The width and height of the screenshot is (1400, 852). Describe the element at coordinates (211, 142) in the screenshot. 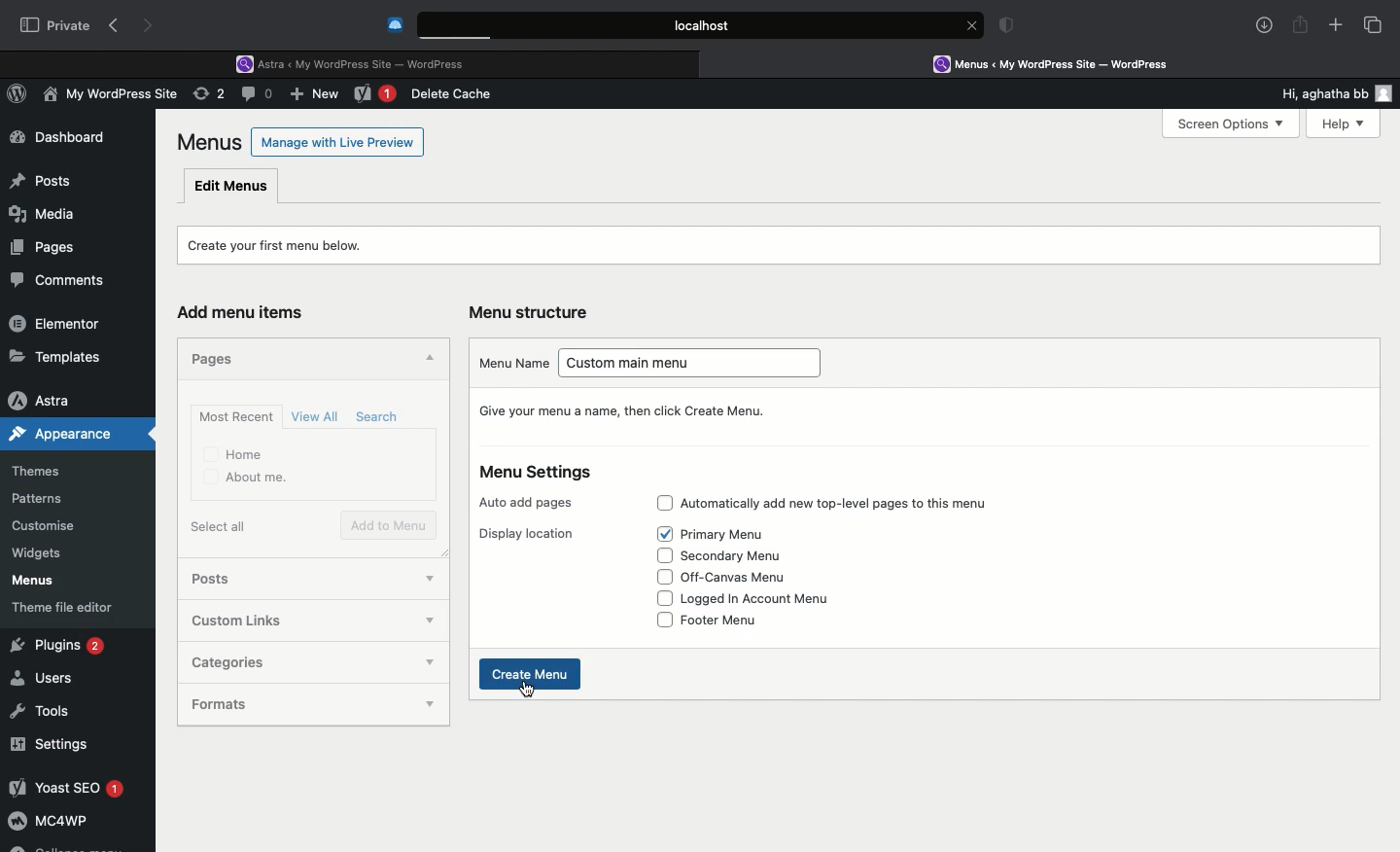

I see `Menus` at that location.